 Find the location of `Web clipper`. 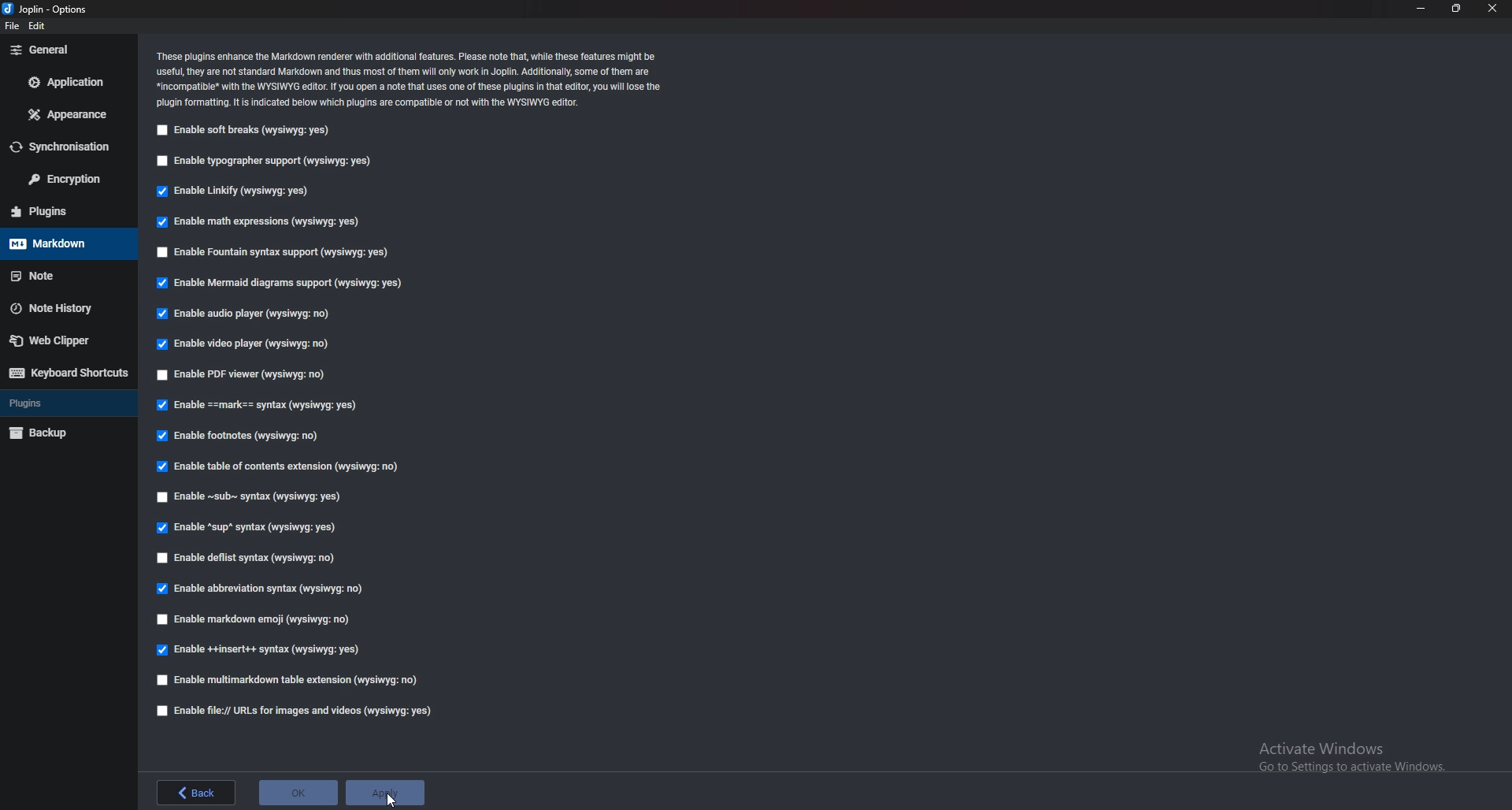

Web clipper is located at coordinates (61, 338).